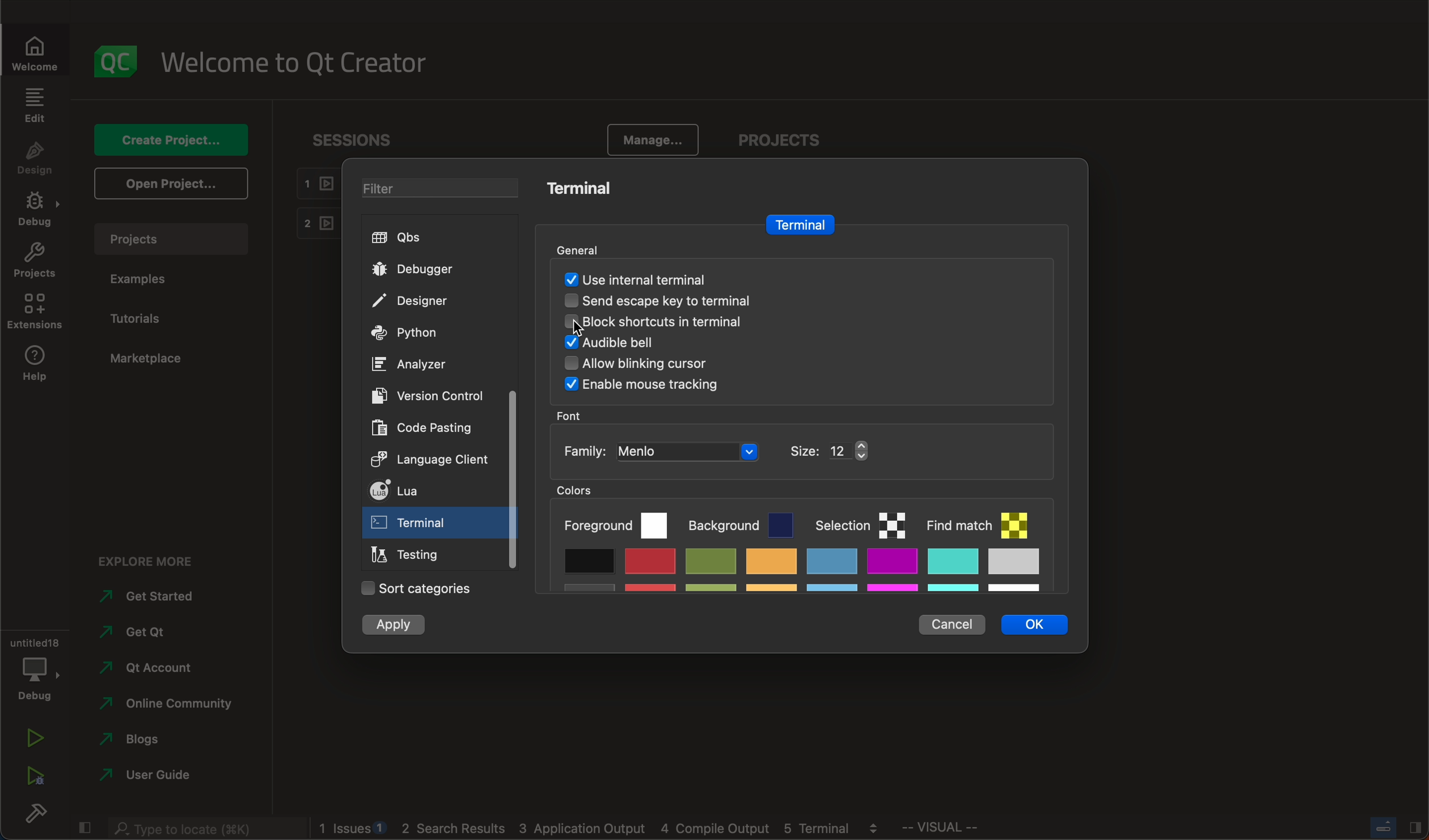 Image resolution: width=1429 pixels, height=840 pixels. I want to click on welcome , so click(304, 63).